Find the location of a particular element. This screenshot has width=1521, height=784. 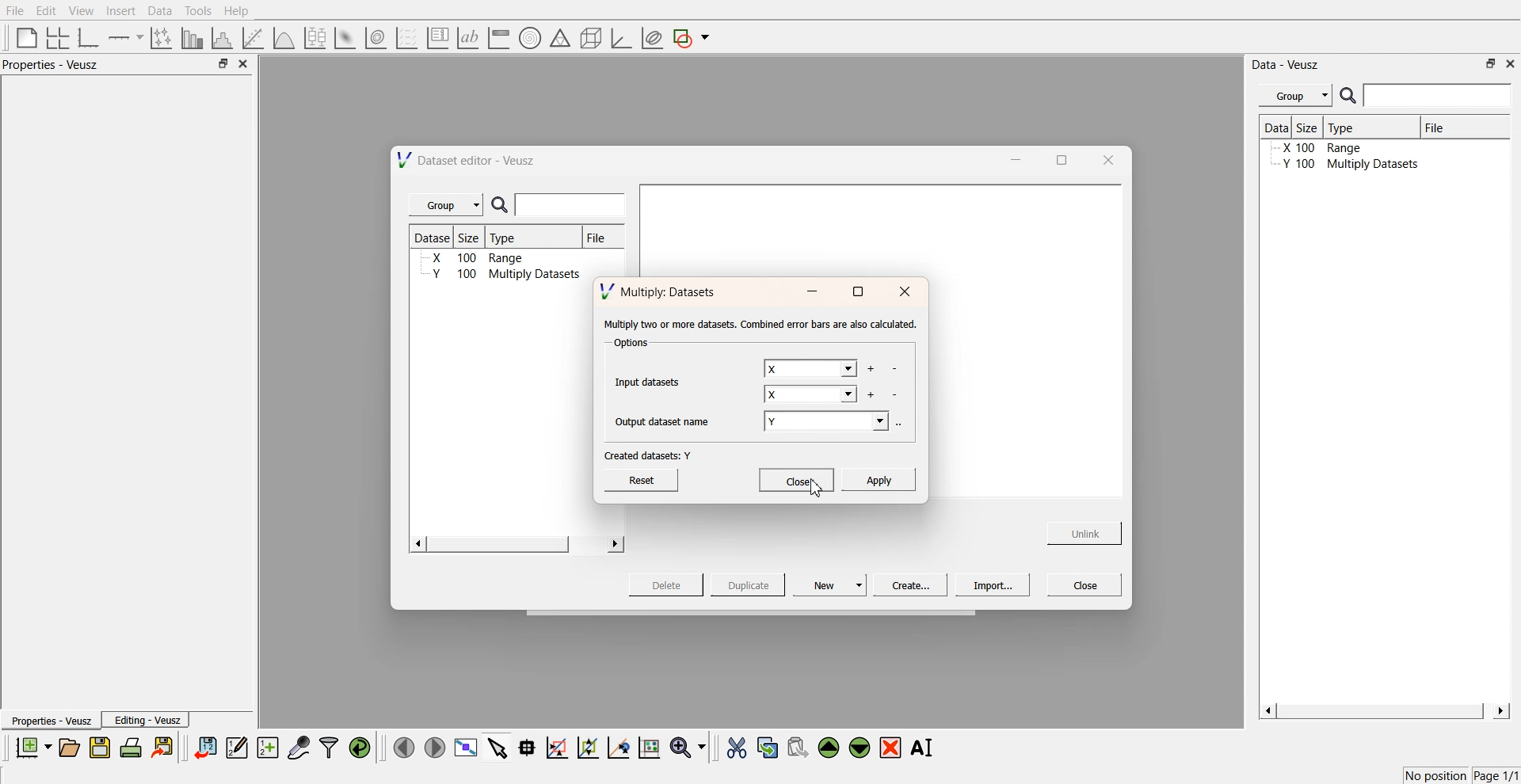

open is located at coordinates (69, 748).